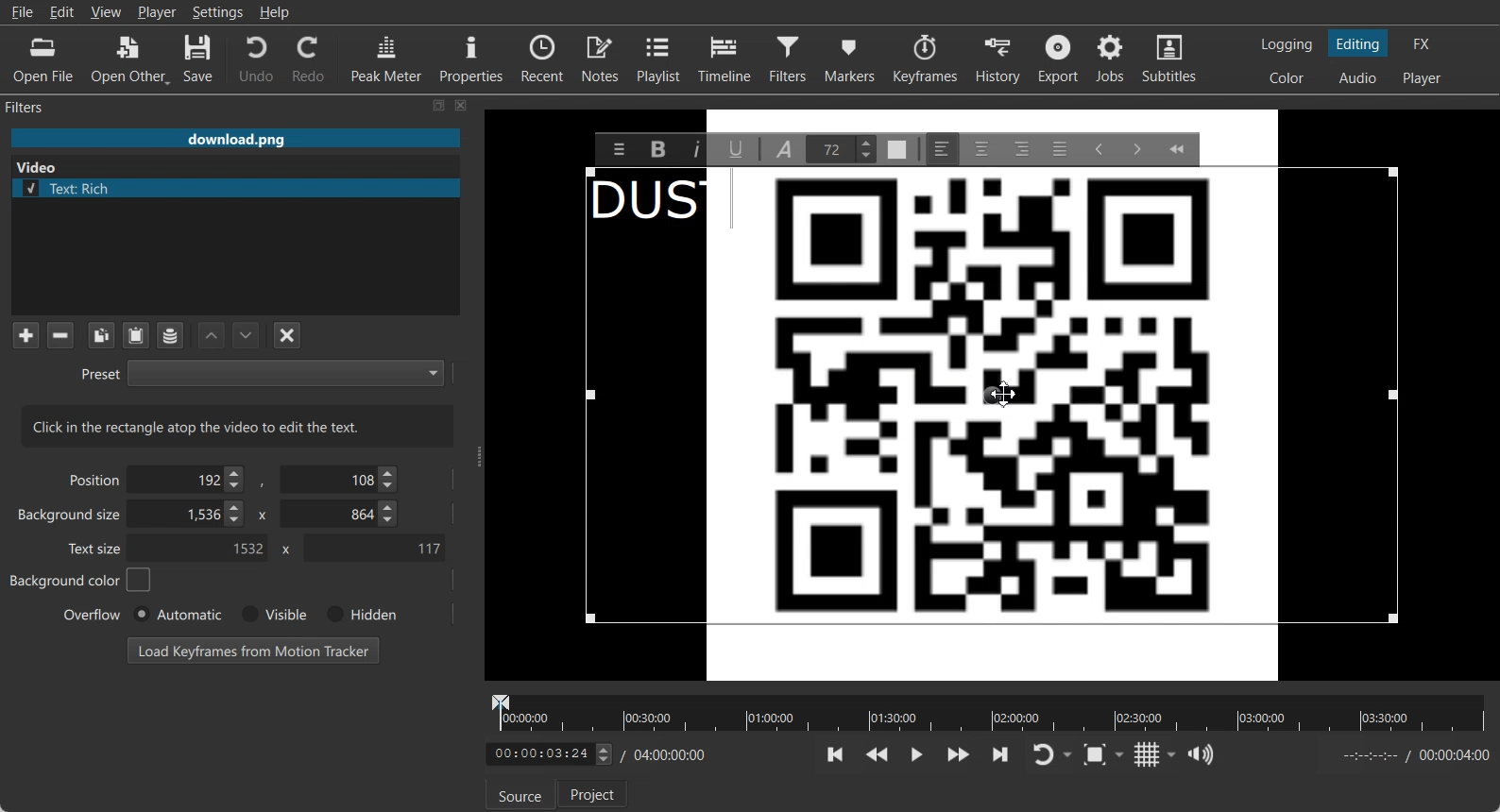 Image resolution: width=1500 pixels, height=812 pixels. Describe the element at coordinates (358, 614) in the screenshot. I see `Hidden` at that location.